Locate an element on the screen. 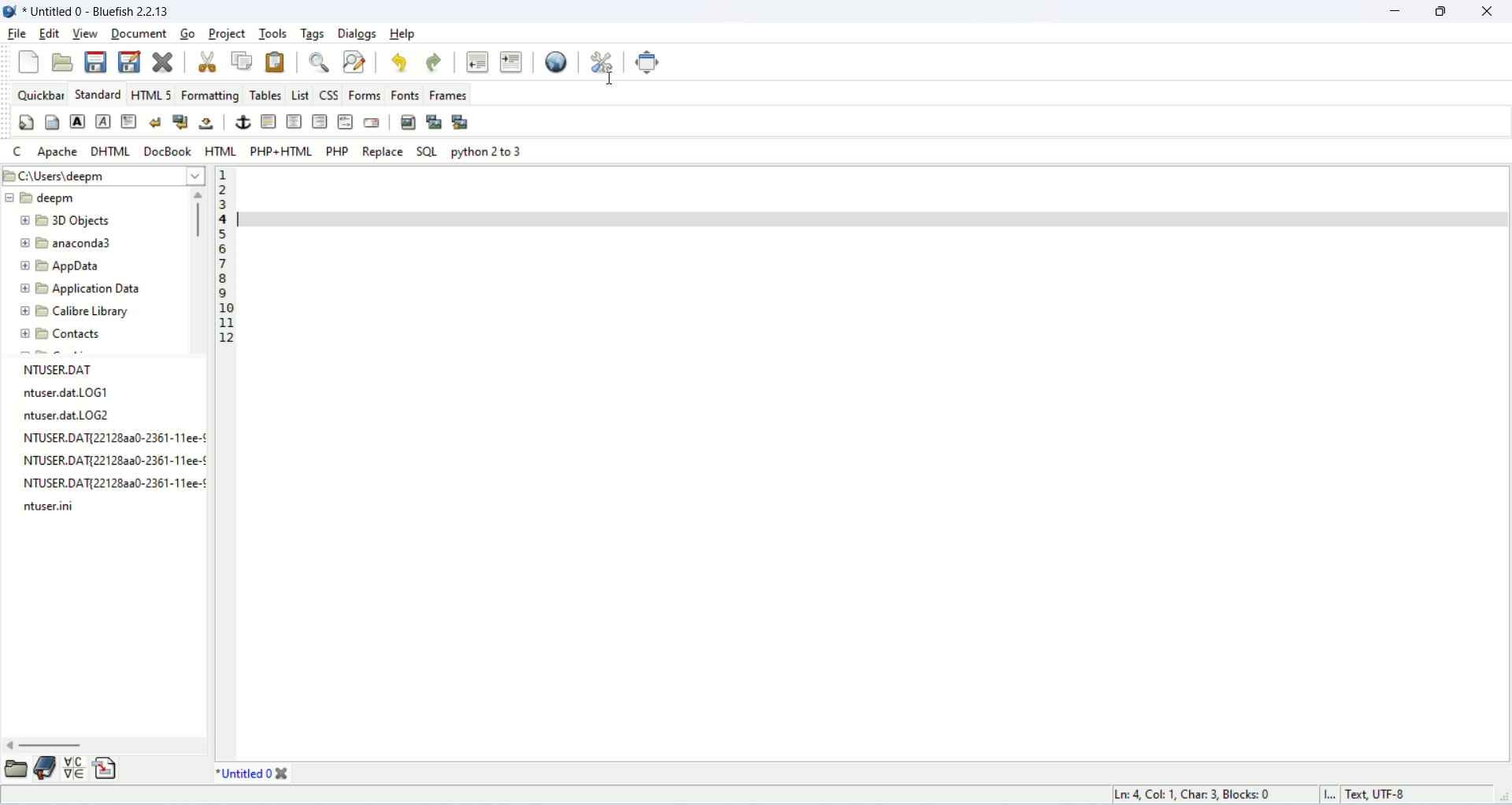 The width and height of the screenshot is (1512, 805). edit preferences is located at coordinates (603, 62).